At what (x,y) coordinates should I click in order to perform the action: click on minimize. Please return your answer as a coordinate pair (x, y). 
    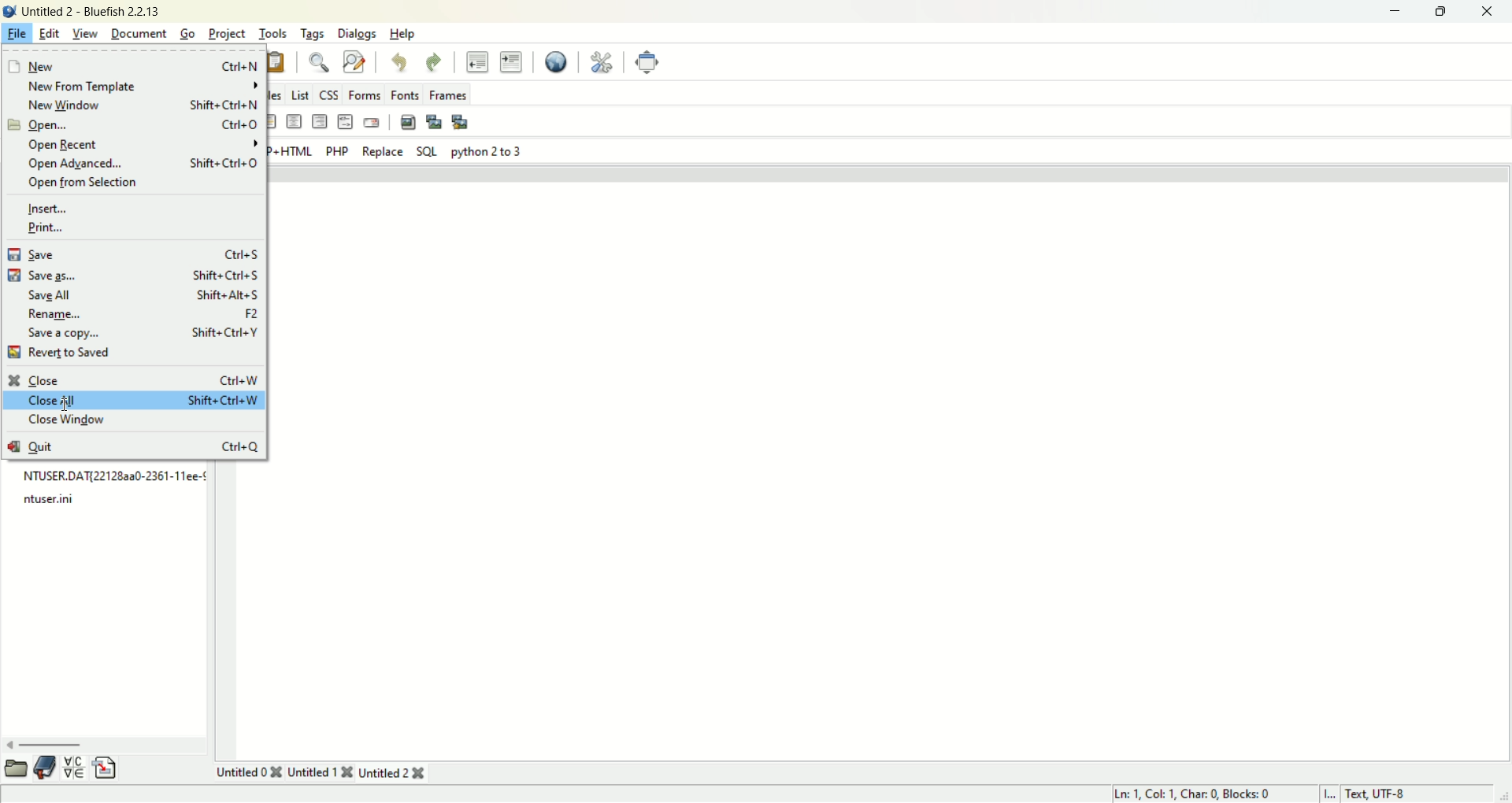
    Looking at the image, I should click on (1393, 12).